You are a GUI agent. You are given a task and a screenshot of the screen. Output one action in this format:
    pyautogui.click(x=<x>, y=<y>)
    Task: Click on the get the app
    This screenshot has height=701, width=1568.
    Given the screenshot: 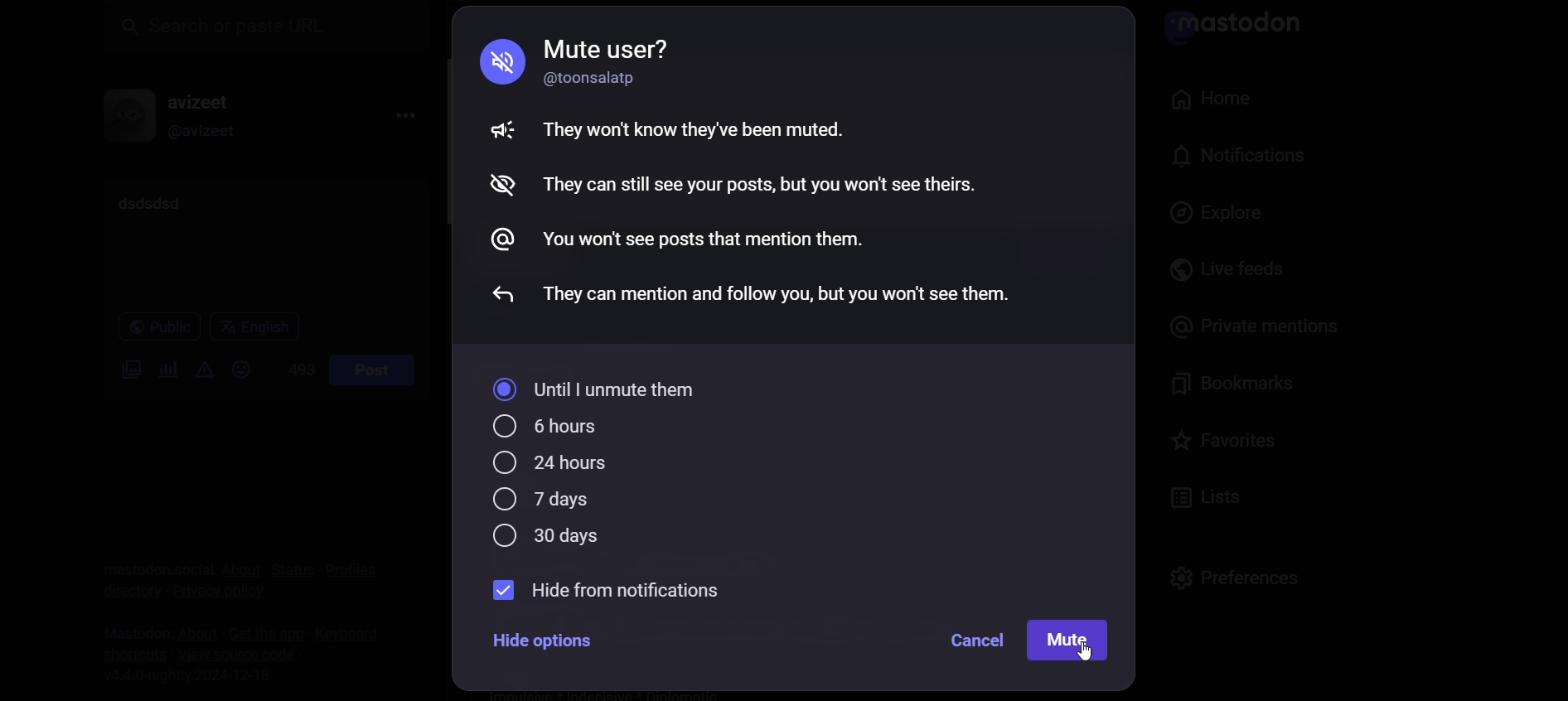 What is the action you would take?
    pyautogui.click(x=258, y=631)
    